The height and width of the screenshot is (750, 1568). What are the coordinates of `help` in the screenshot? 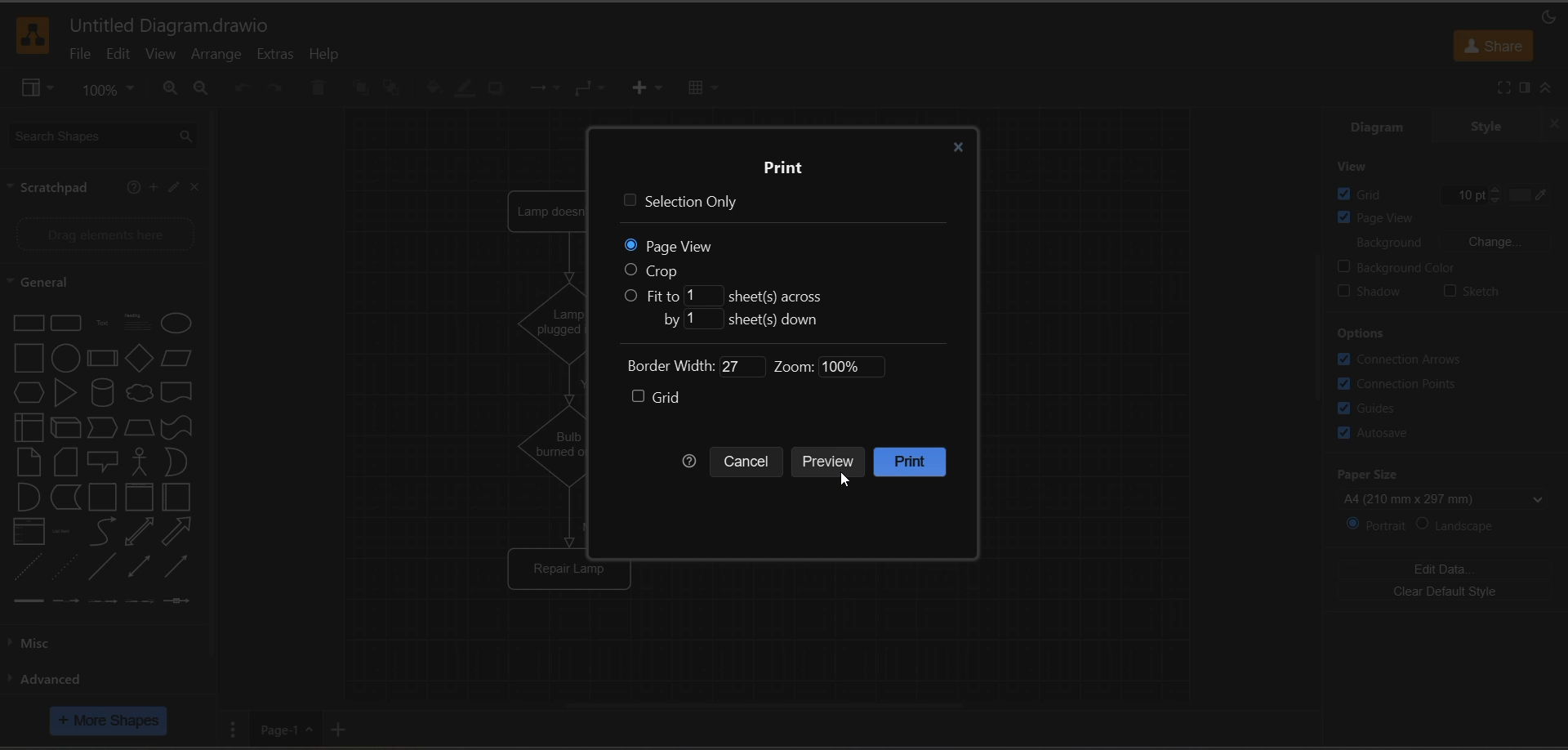 It's located at (131, 187).